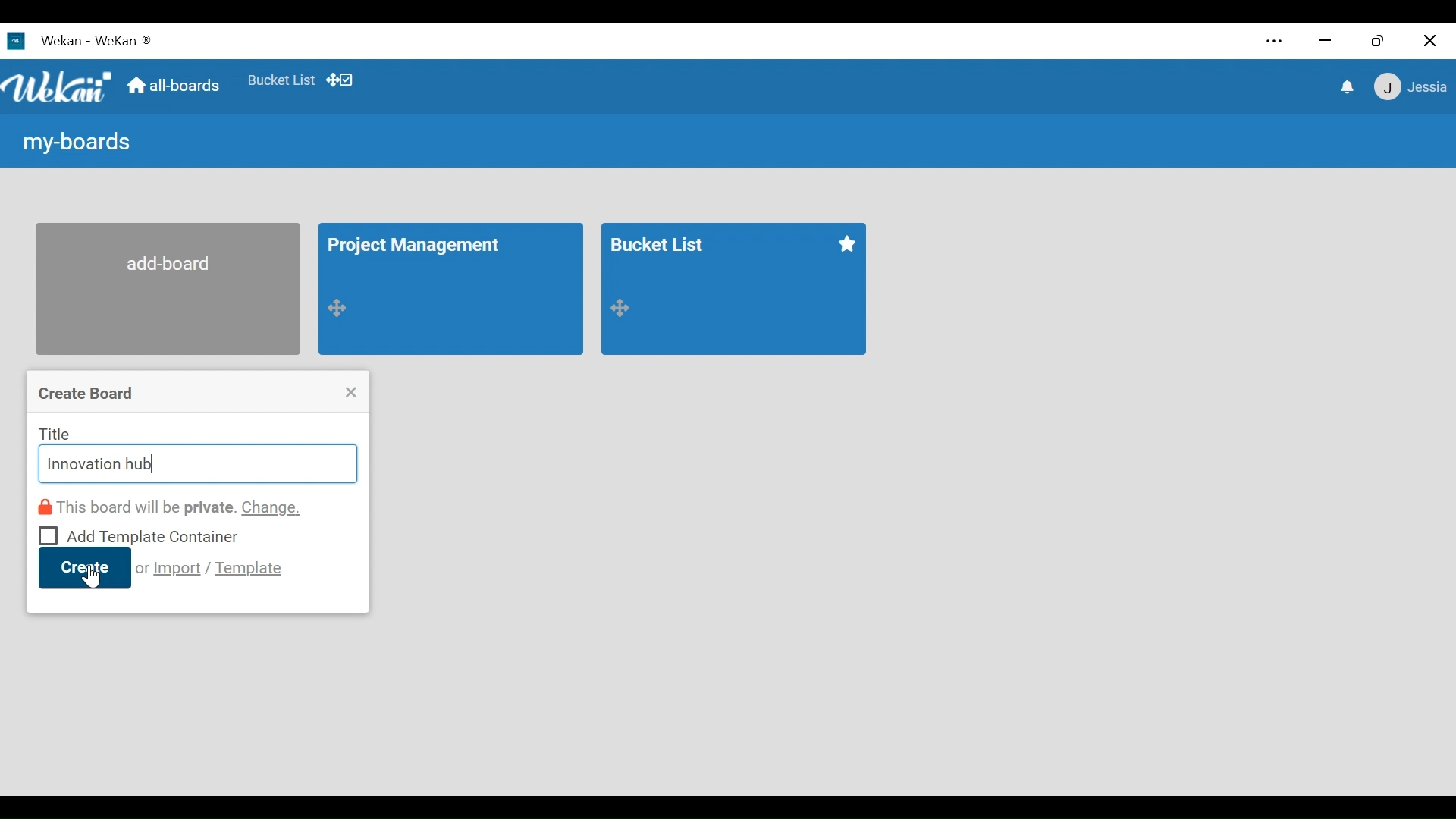 Image resolution: width=1456 pixels, height=819 pixels. I want to click on Change board privacy, so click(171, 507).